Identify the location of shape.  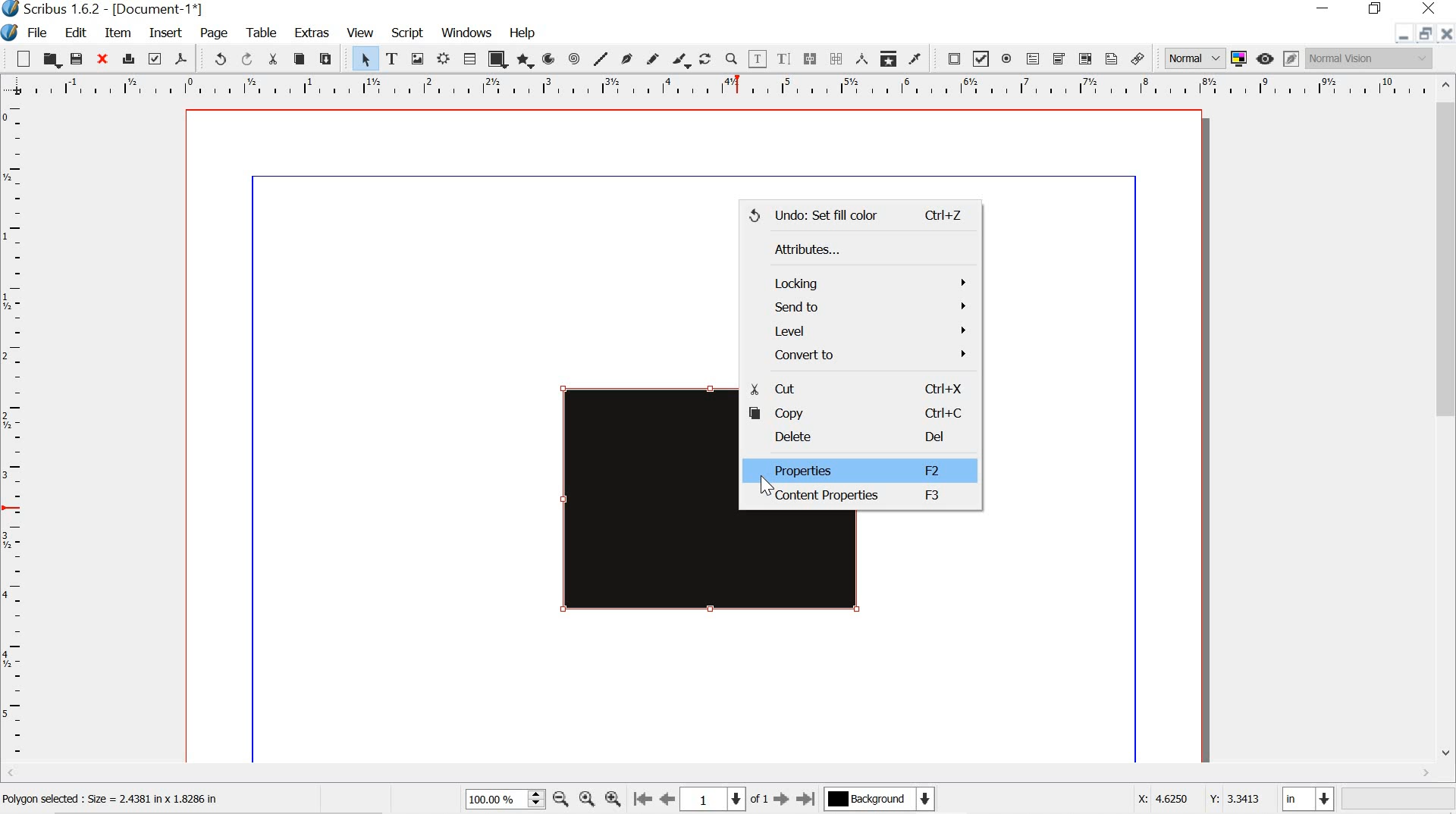
(497, 59).